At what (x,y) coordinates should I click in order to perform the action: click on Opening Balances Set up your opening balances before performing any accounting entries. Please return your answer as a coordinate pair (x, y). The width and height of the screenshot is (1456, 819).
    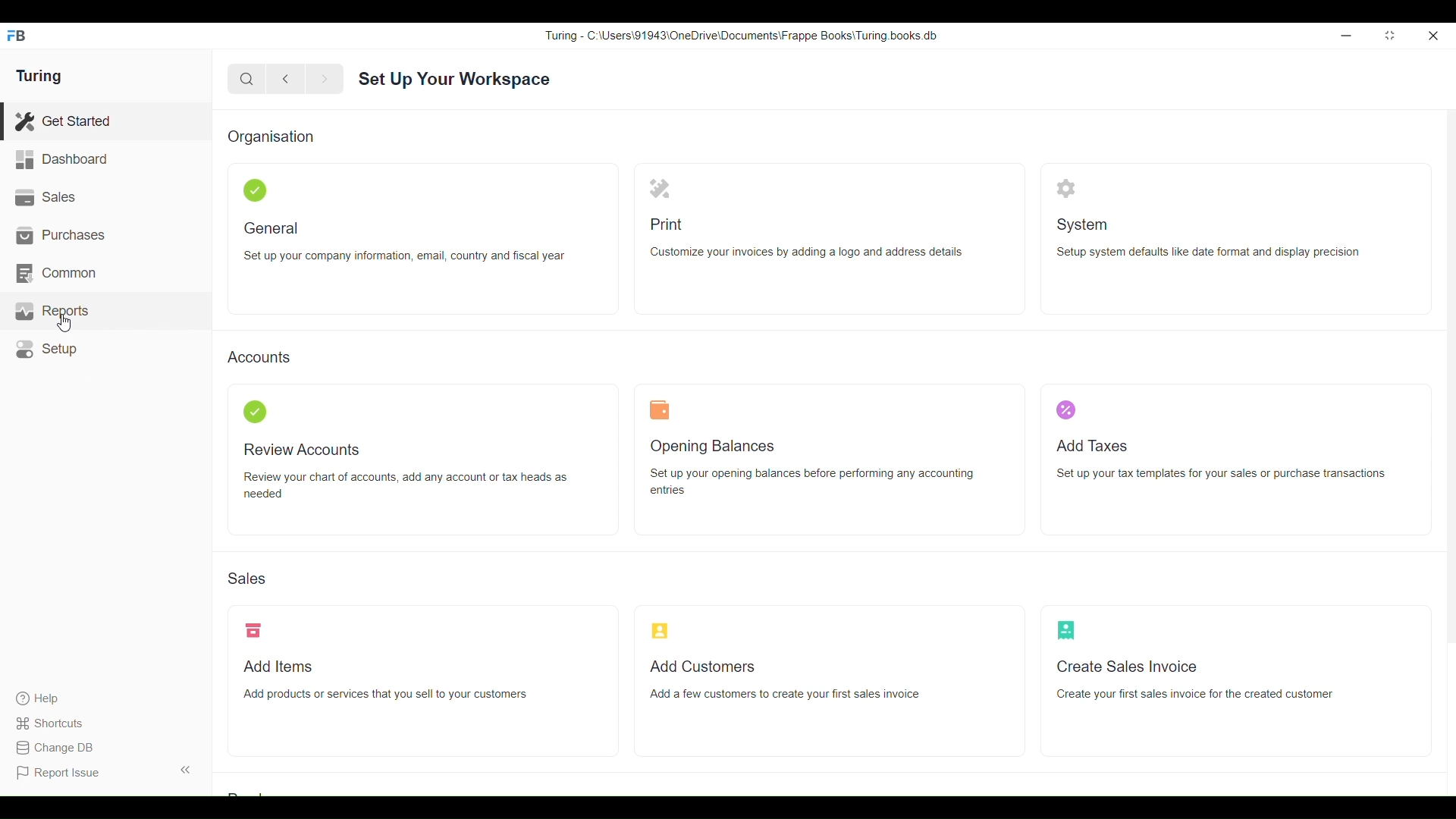
    Looking at the image, I should click on (811, 468).